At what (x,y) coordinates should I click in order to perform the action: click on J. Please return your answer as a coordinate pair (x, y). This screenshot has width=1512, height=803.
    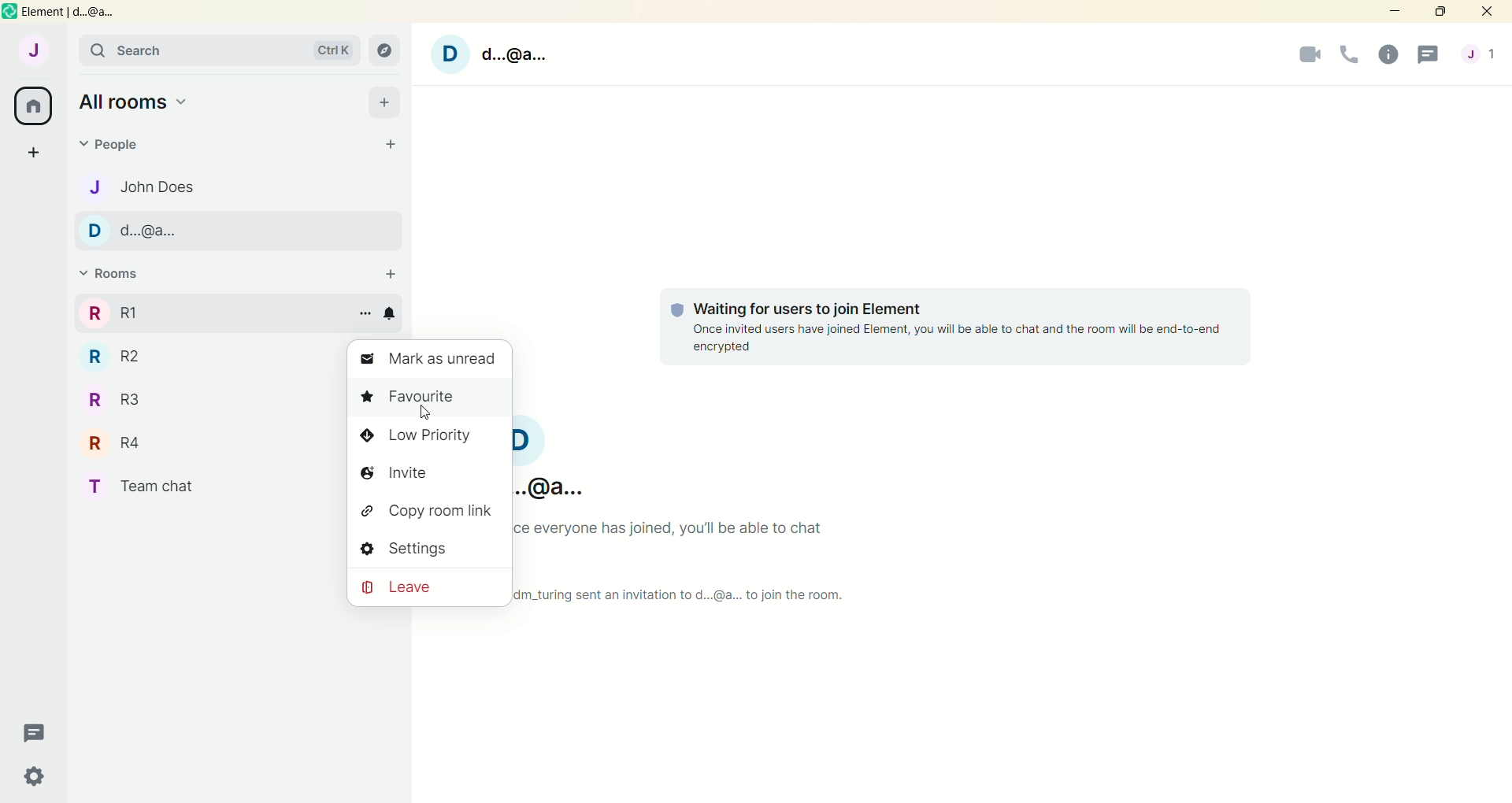
    Looking at the image, I should click on (39, 54).